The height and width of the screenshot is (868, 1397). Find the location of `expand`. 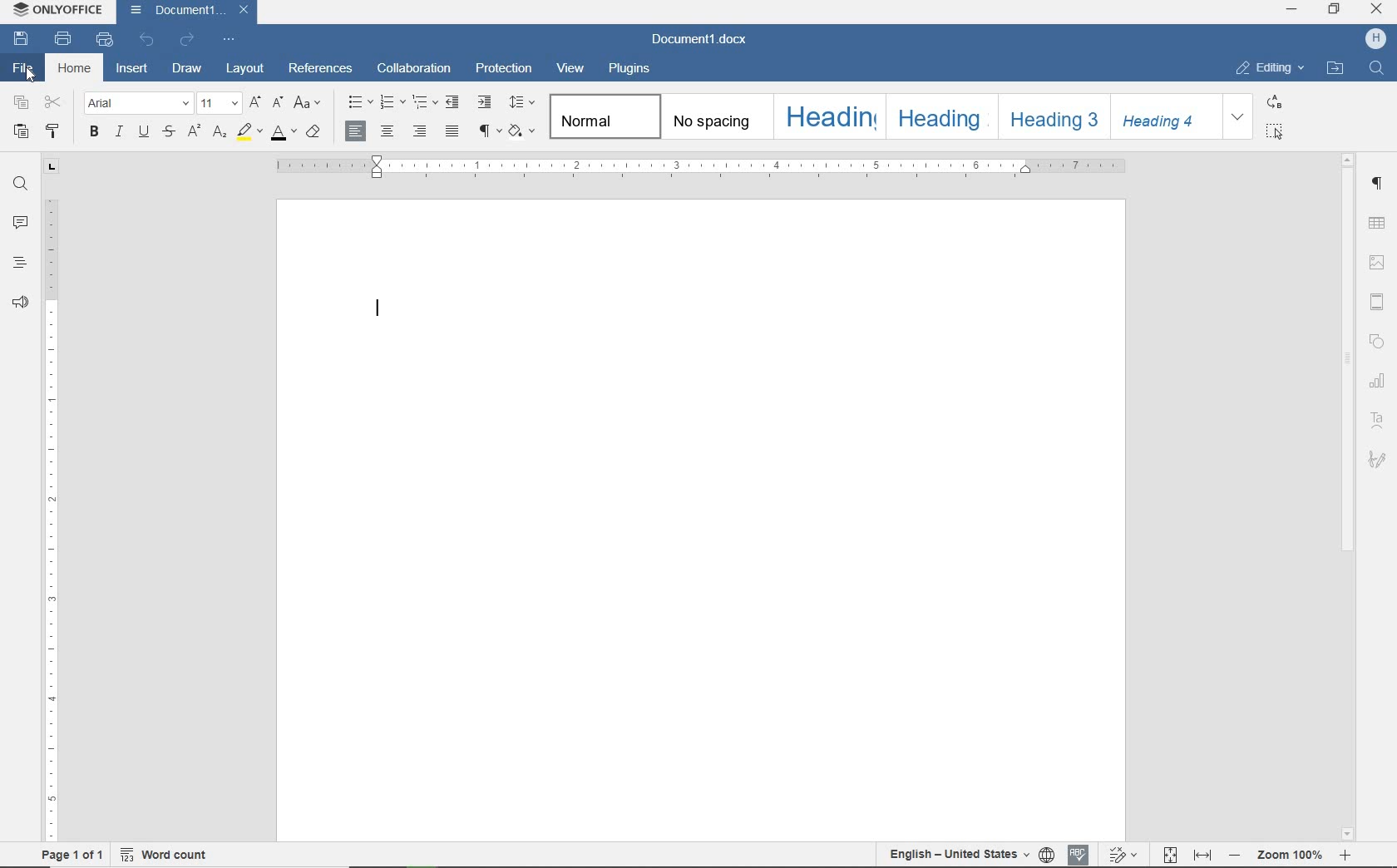

expand is located at coordinates (1238, 116).